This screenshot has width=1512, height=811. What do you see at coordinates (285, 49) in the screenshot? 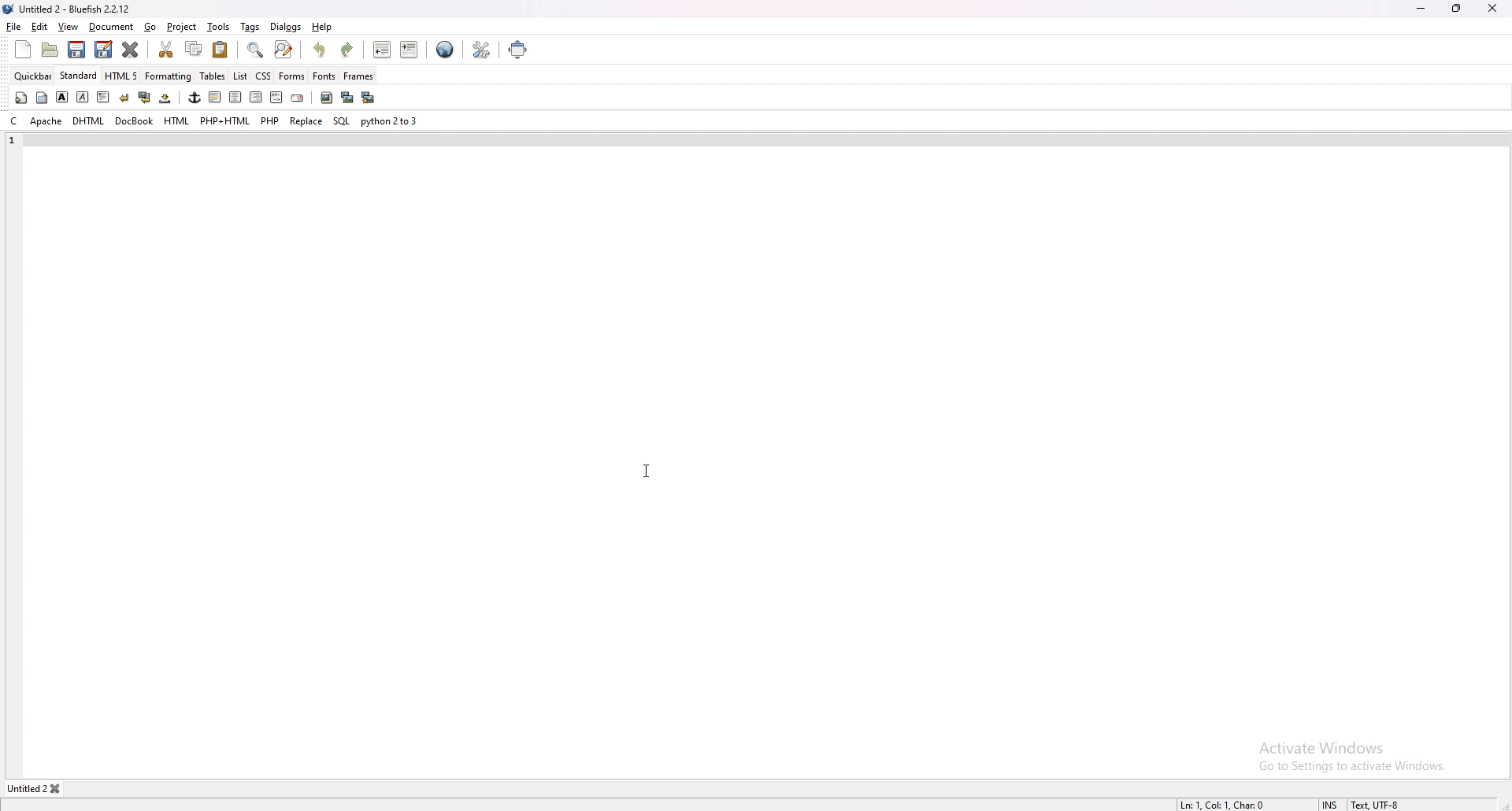
I see `advanced find and replace` at bounding box center [285, 49].